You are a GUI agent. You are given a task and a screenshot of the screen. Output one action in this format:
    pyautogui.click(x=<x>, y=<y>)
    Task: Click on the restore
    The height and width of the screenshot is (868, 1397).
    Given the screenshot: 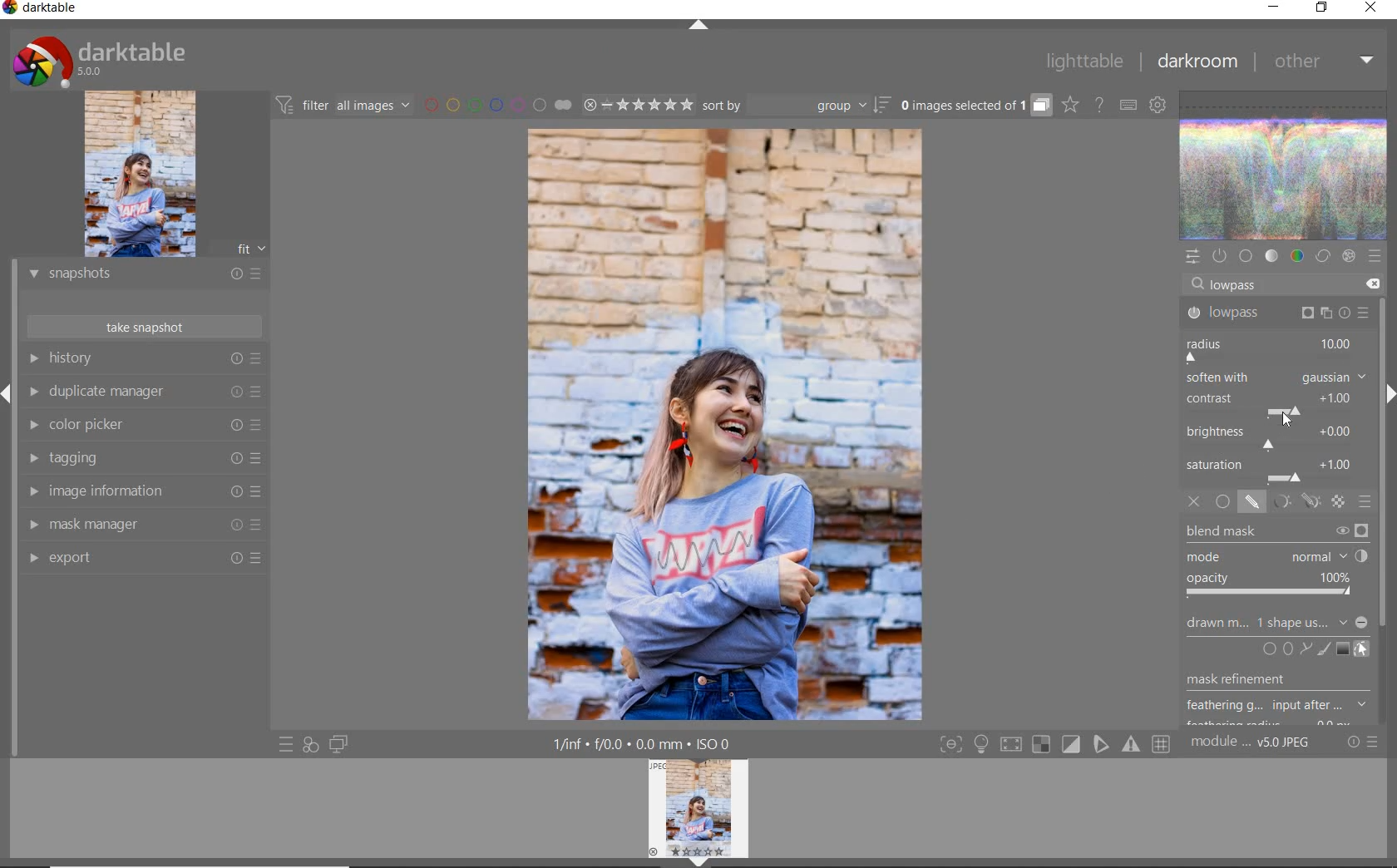 What is the action you would take?
    pyautogui.click(x=1322, y=9)
    